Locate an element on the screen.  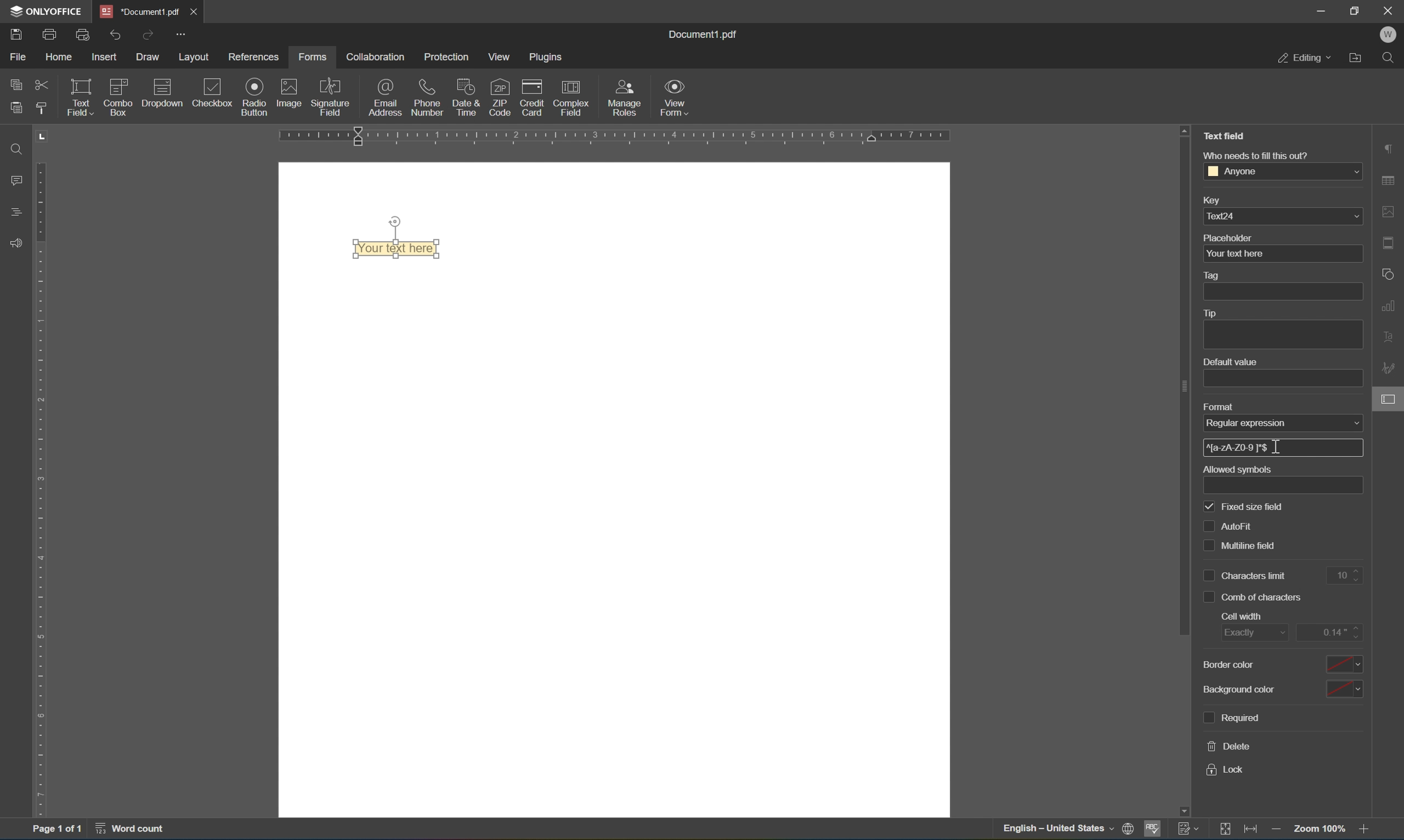
lock is located at coordinates (1225, 770).